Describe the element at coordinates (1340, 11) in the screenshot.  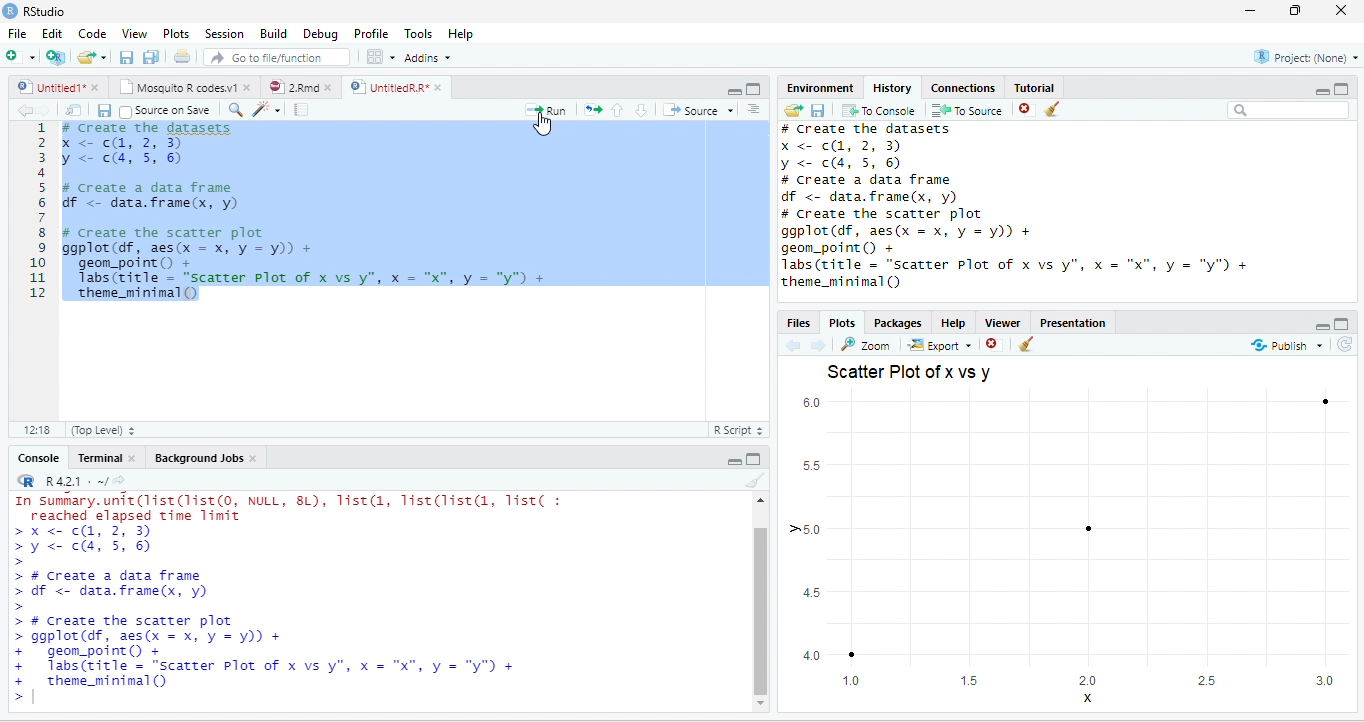
I see `close` at that location.